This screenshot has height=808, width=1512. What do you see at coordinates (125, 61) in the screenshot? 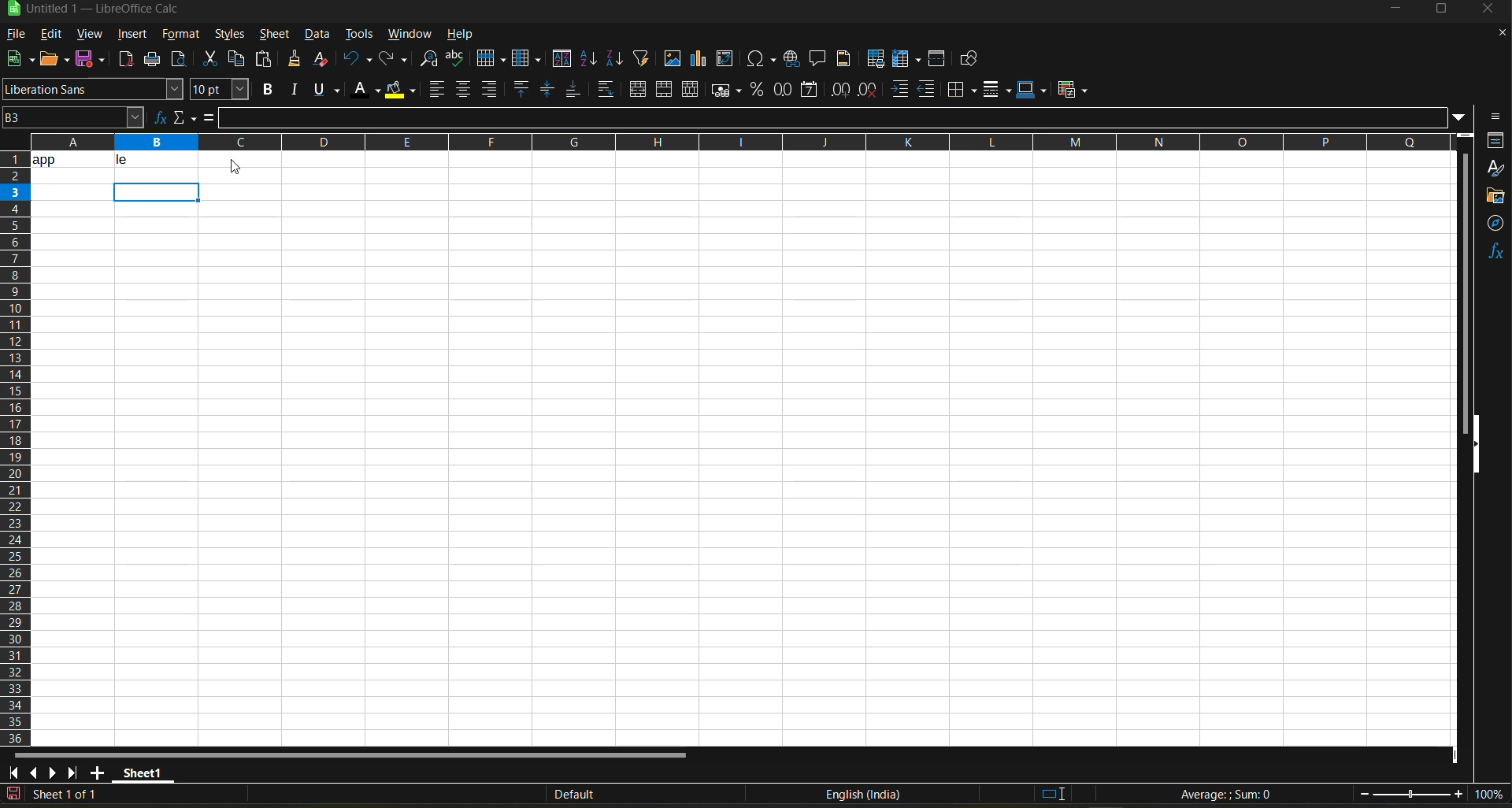
I see `export directly as pdf` at bounding box center [125, 61].